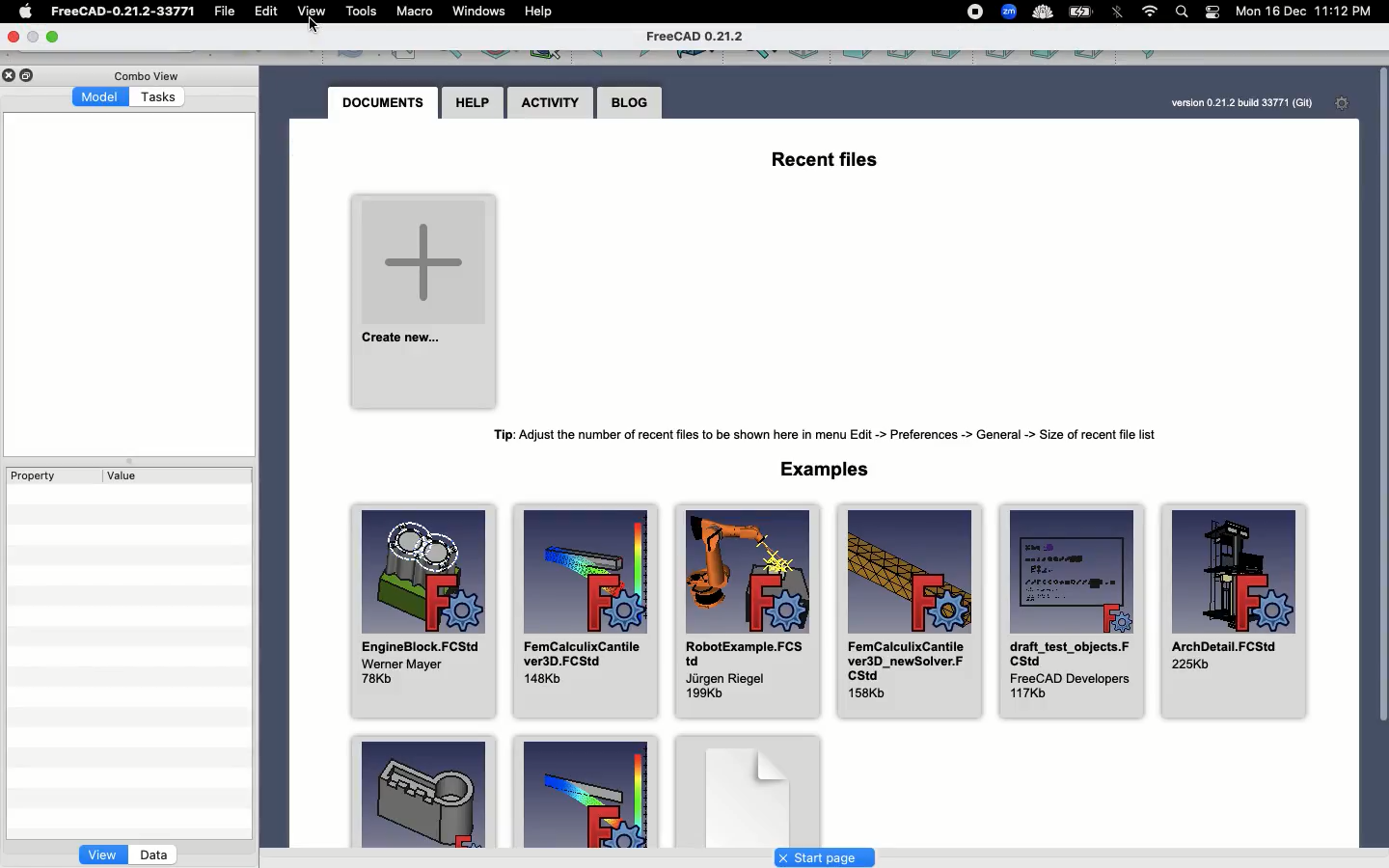 The width and height of the screenshot is (1389, 868). I want to click on Tasks, so click(160, 95).